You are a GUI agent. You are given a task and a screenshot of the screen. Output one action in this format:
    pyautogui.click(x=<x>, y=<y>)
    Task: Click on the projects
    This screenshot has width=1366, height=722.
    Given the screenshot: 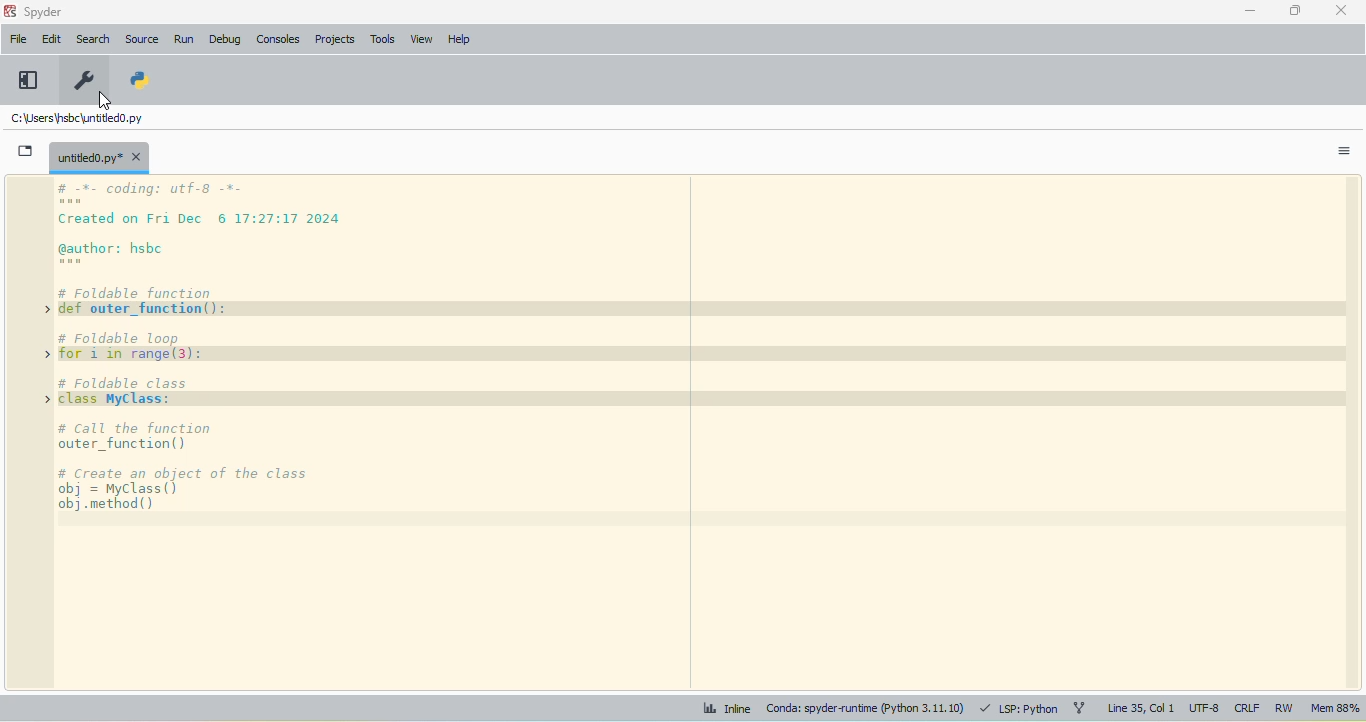 What is the action you would take?
    pyautogui.click(x=336, y=39)
    